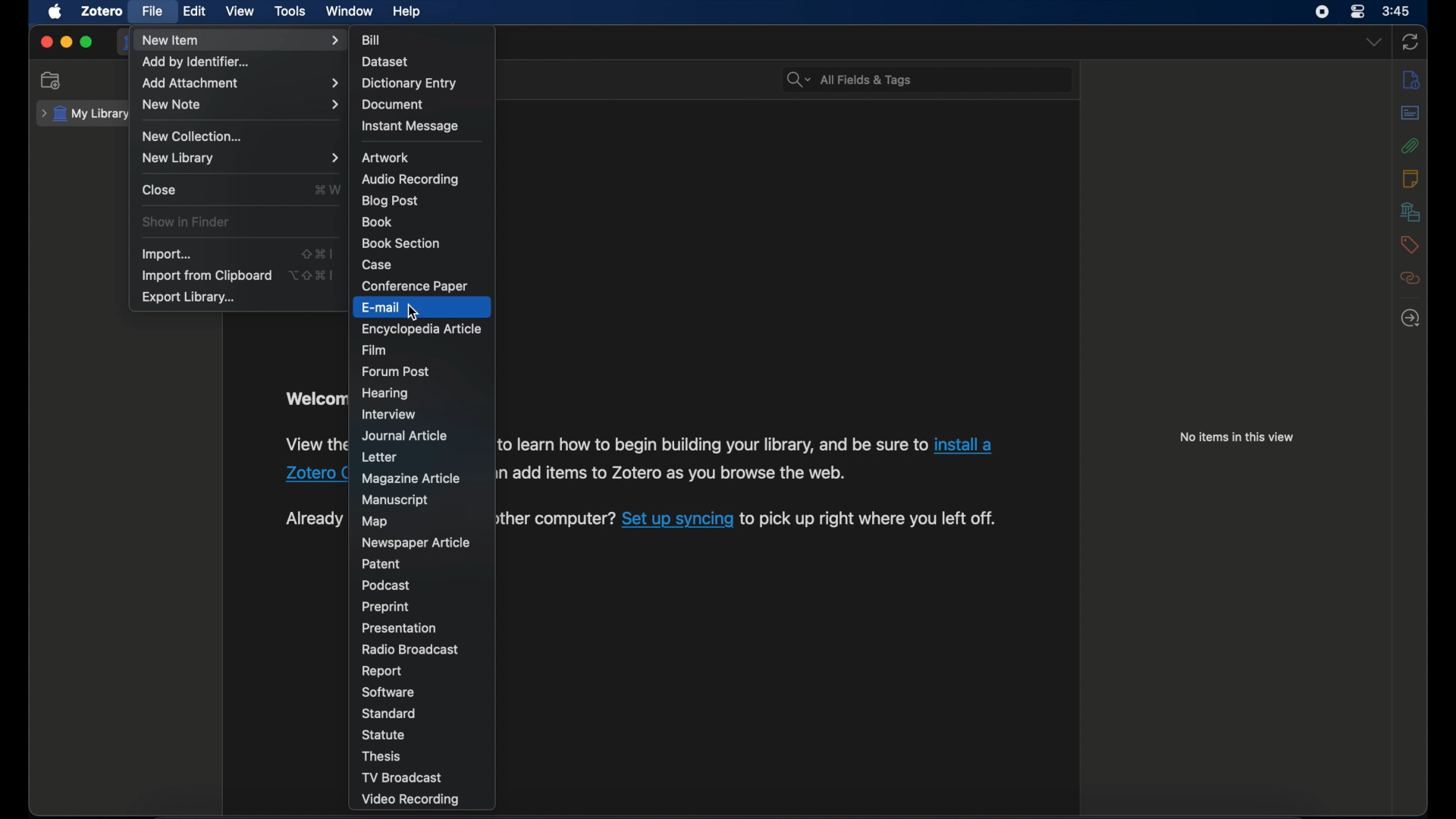  I want to click on bill, so click(373, 38).